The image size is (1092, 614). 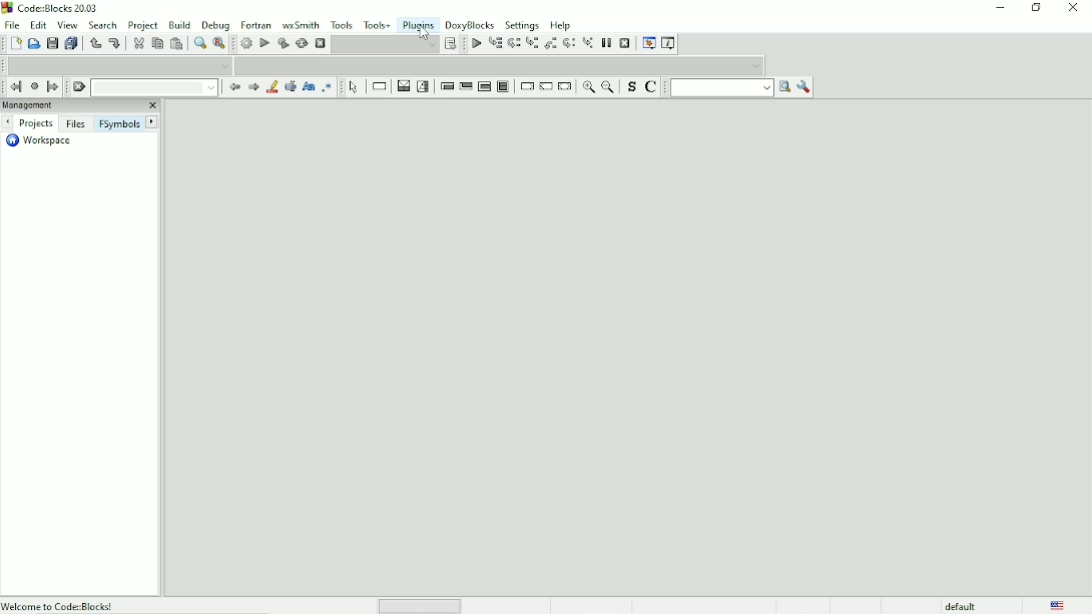 I want to click on Instruction, so click(x=378, y=87).